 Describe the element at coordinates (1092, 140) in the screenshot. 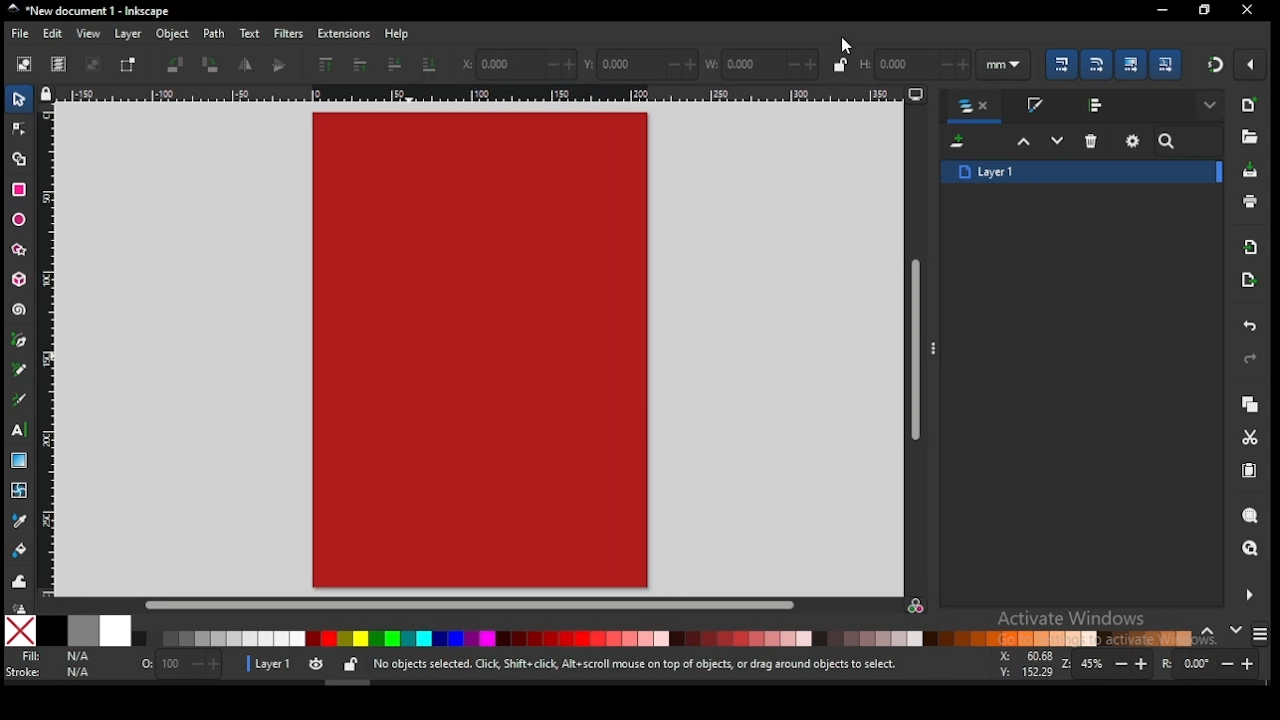

I see `delete layer` at that location.